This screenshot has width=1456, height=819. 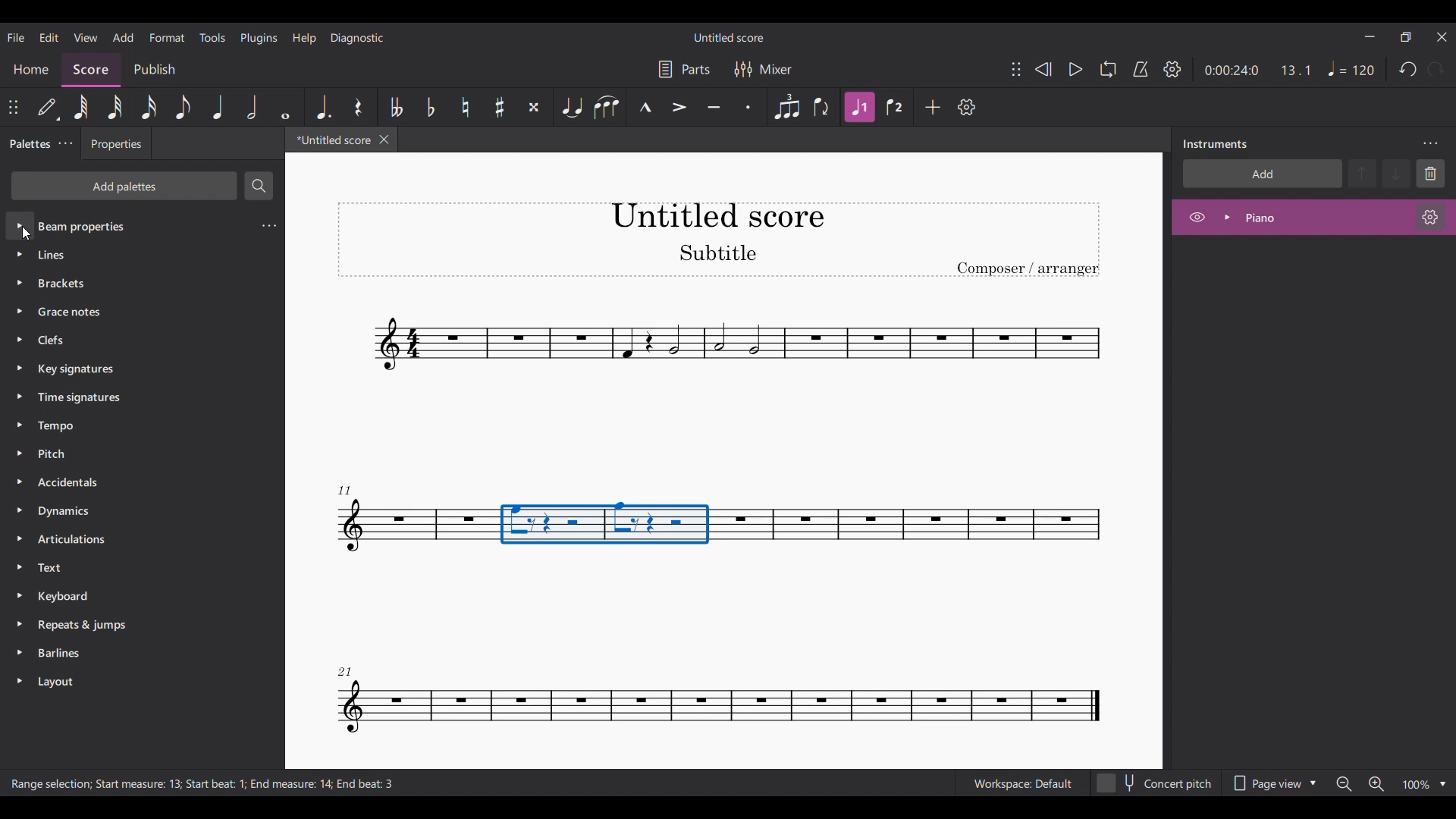 What do you see at coordinates (127, 539) in the screenshot?
I see `Articulations` at bounding box center [127, 539].